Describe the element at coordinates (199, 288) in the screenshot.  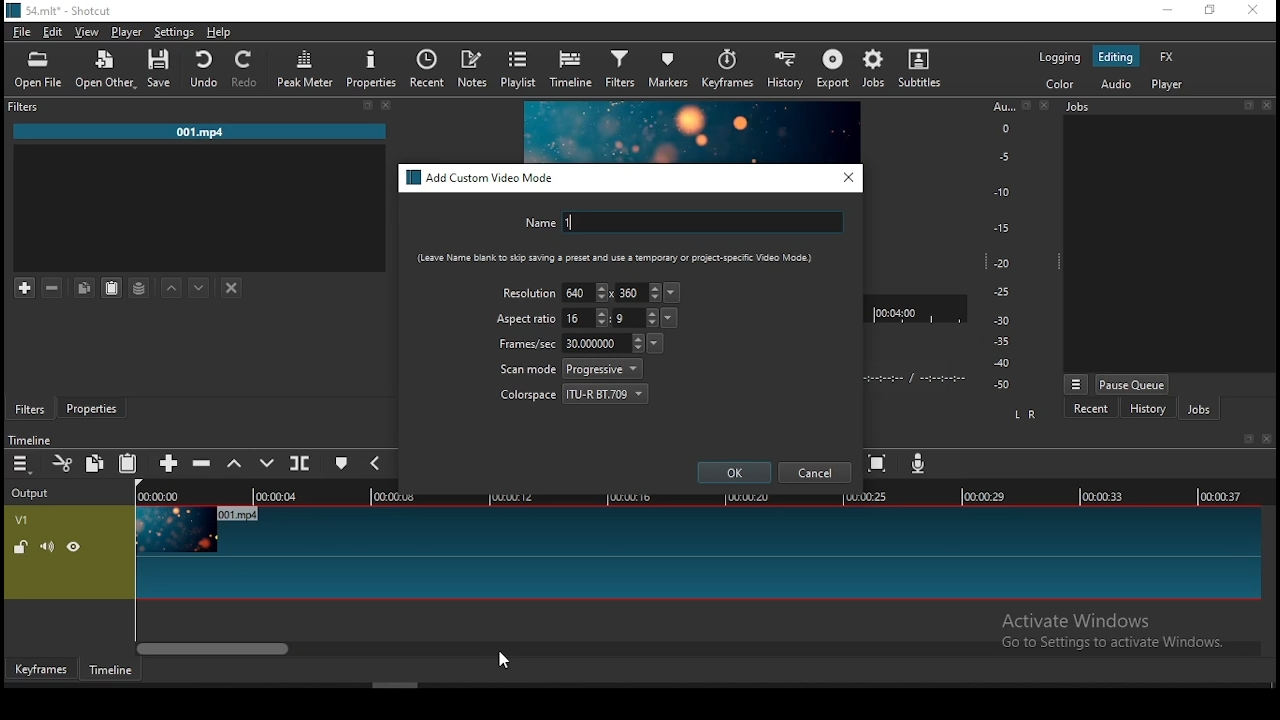
I see `move filter down` at that location.